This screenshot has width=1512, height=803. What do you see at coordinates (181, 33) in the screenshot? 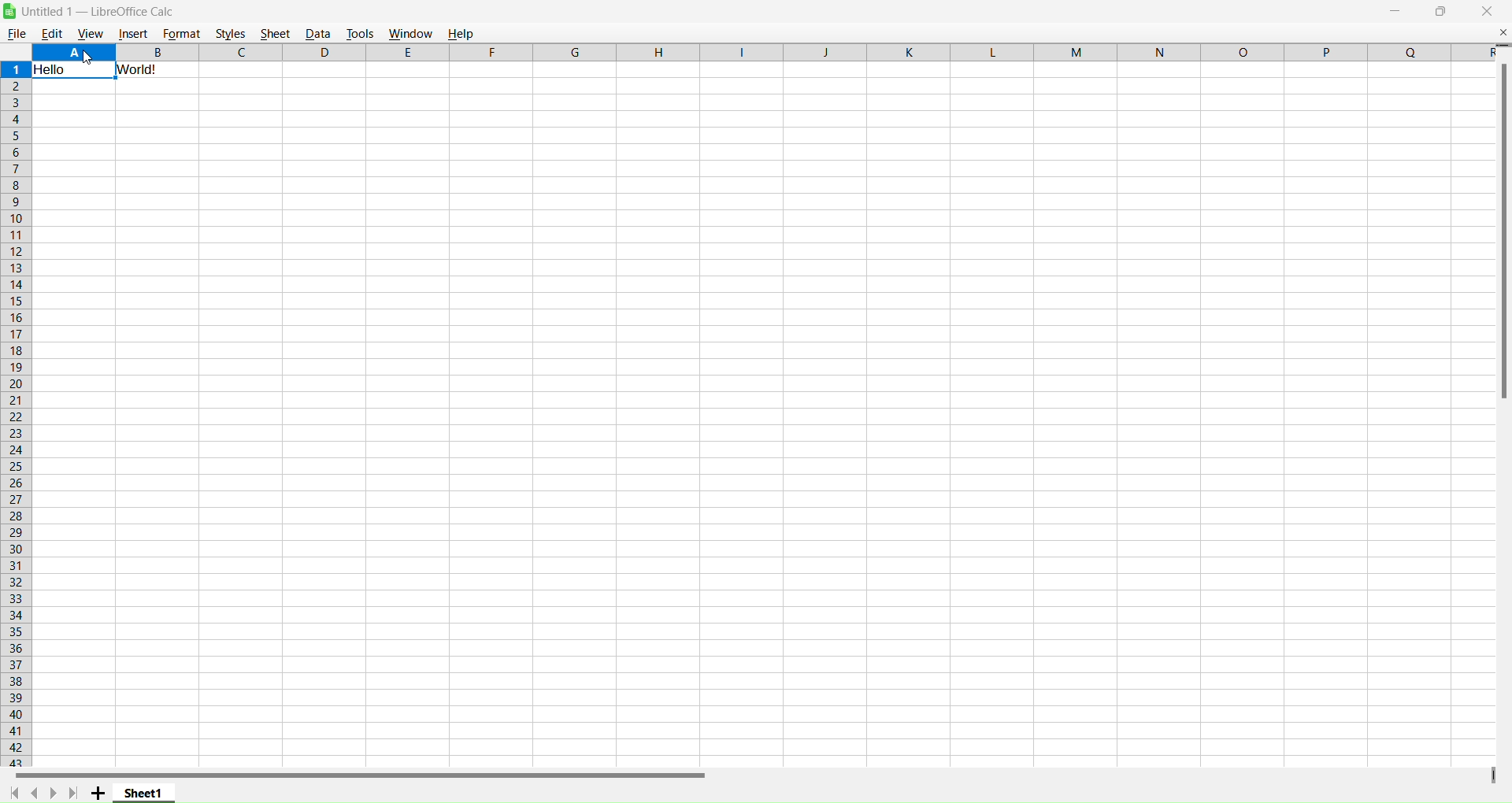
I see `Format` at bounding box center [181, 33].